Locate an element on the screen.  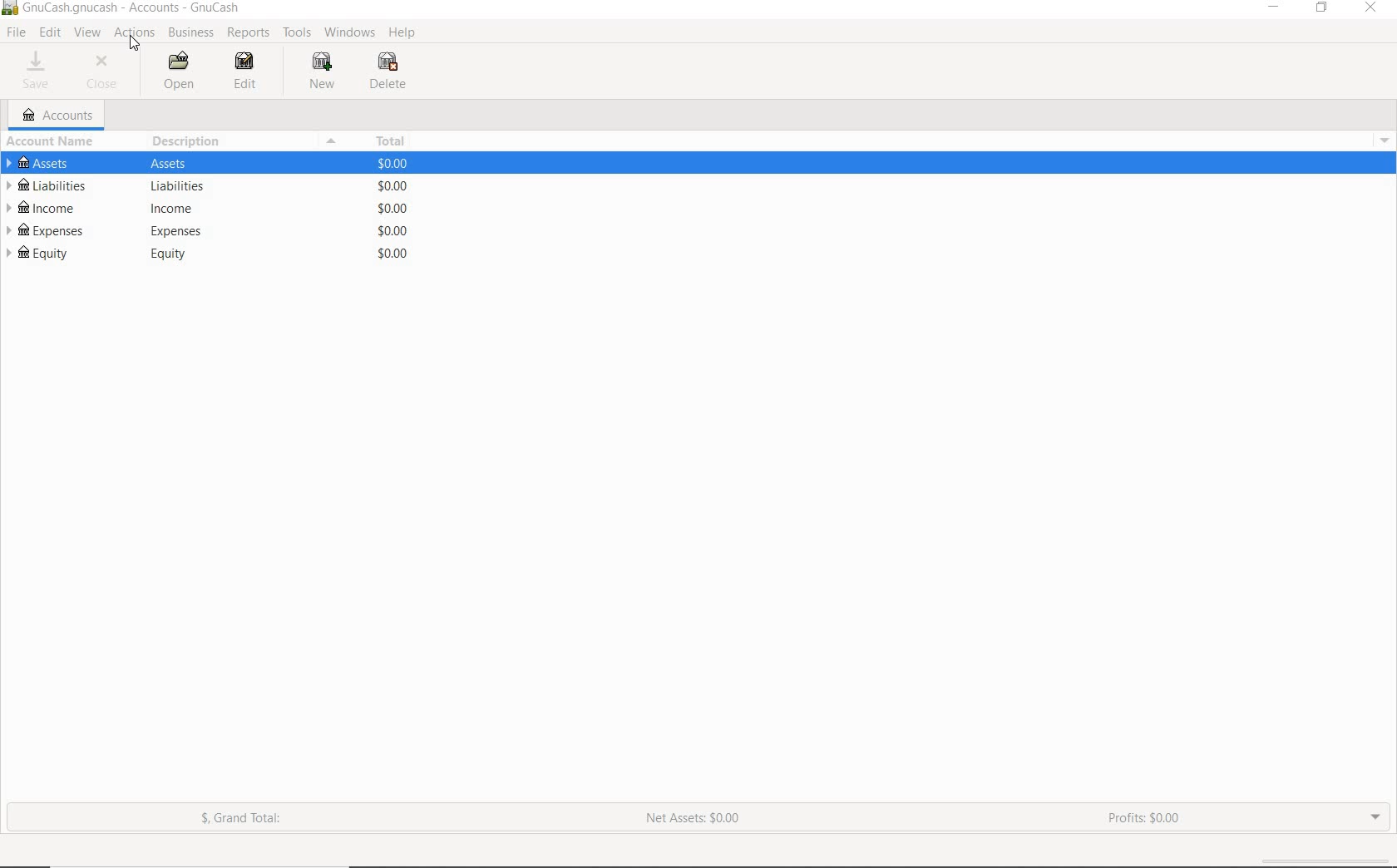
EDIT is located at coordinates (248, 72).